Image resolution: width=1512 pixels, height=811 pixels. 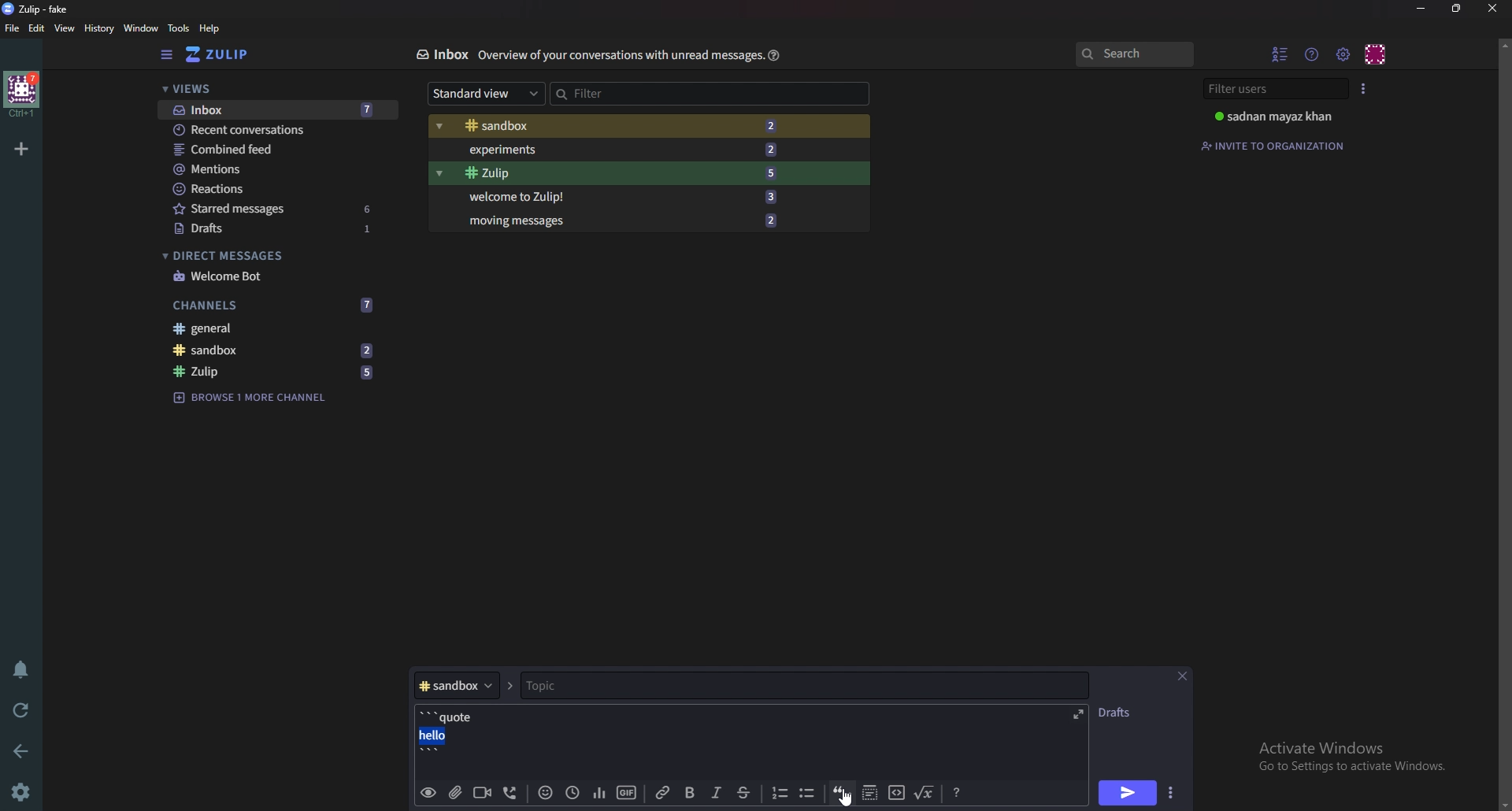 I want to click on Direct messages, so click(x=268, y=256).